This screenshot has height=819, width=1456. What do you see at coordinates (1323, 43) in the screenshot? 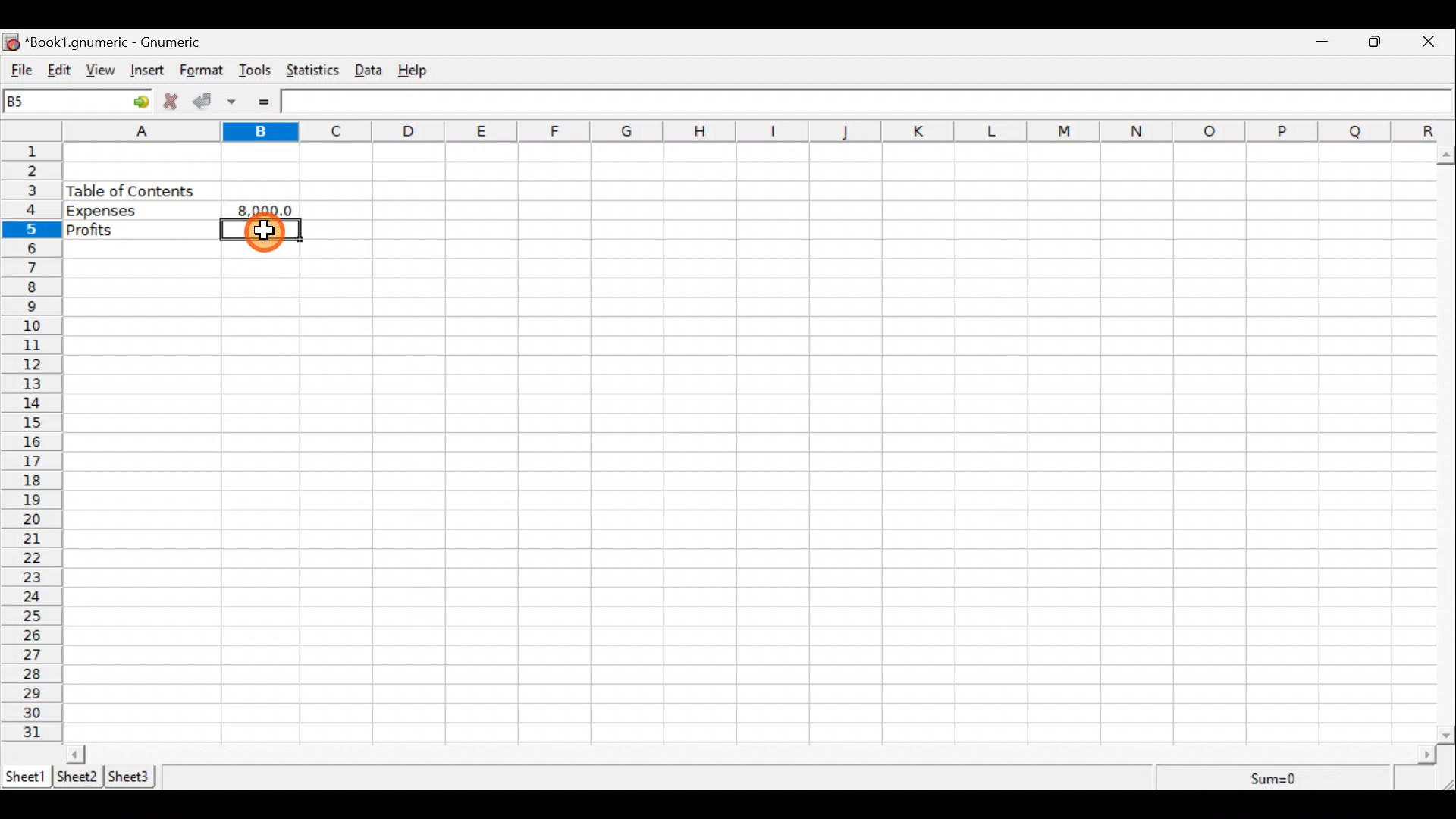
I see `Minimize` at bounding box center [1323, 43].